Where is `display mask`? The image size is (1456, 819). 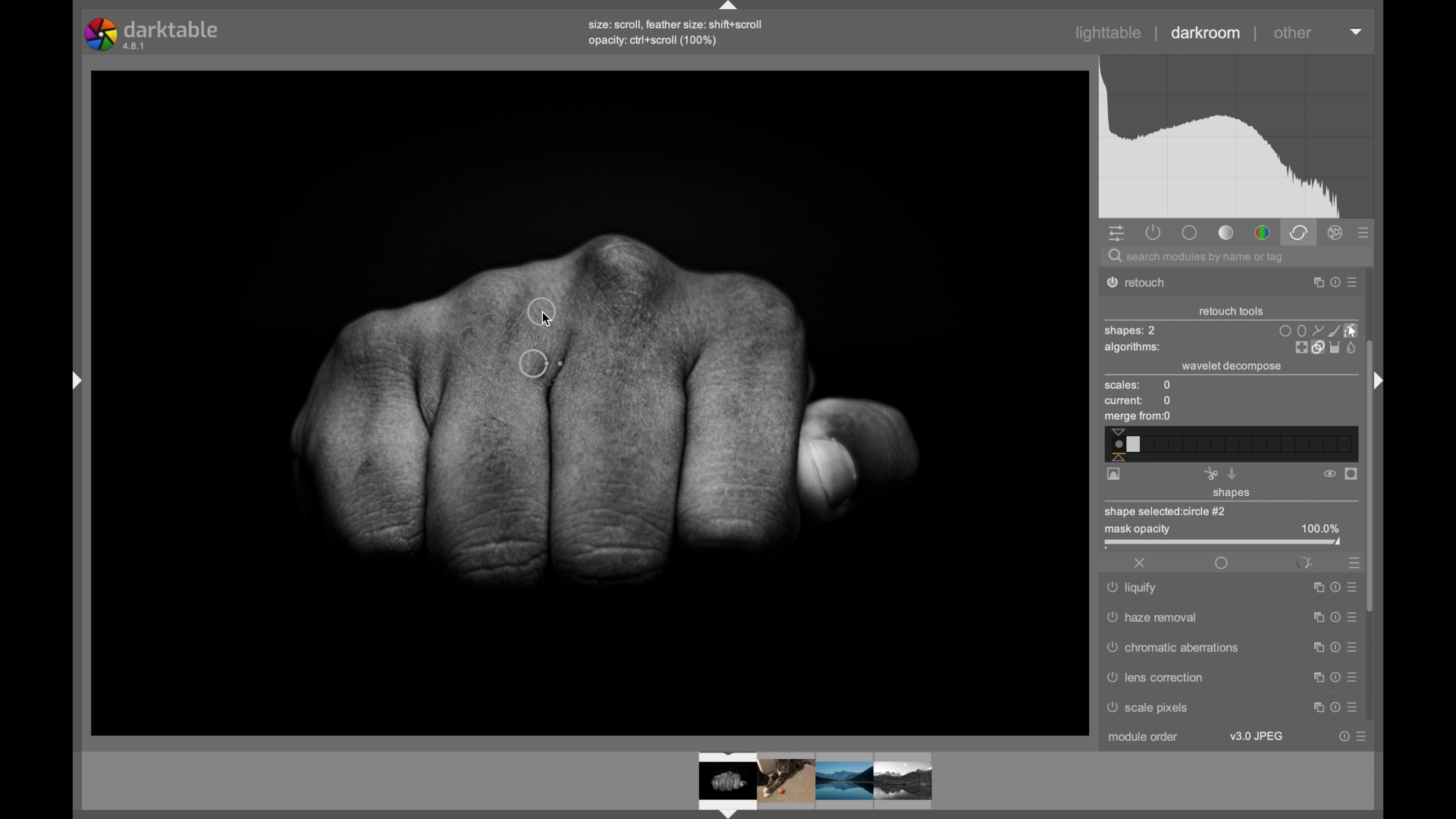
display mask is located at coordinates (1352, 475).